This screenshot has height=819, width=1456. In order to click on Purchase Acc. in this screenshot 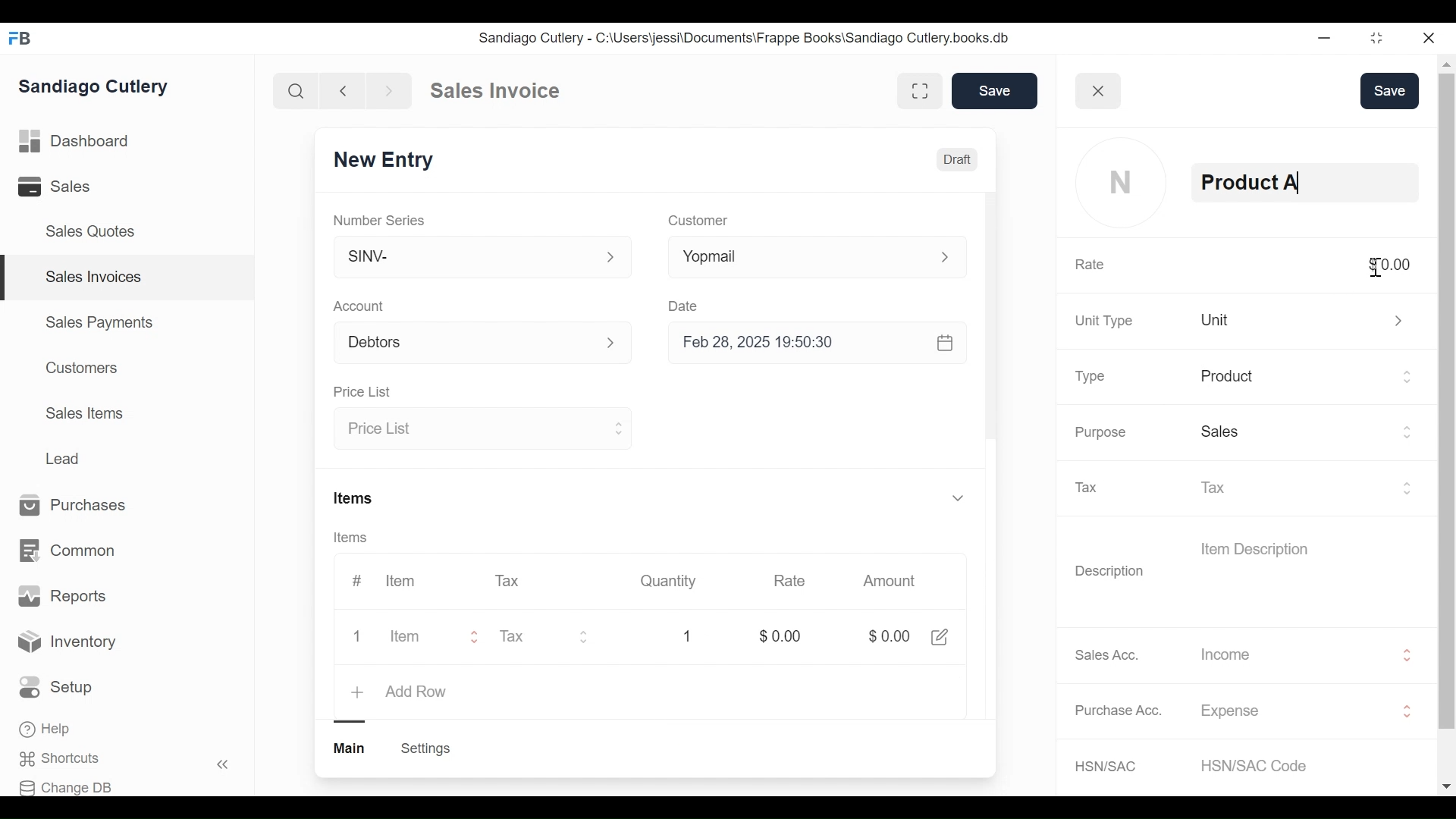, I will do `click(1119, 710)`.